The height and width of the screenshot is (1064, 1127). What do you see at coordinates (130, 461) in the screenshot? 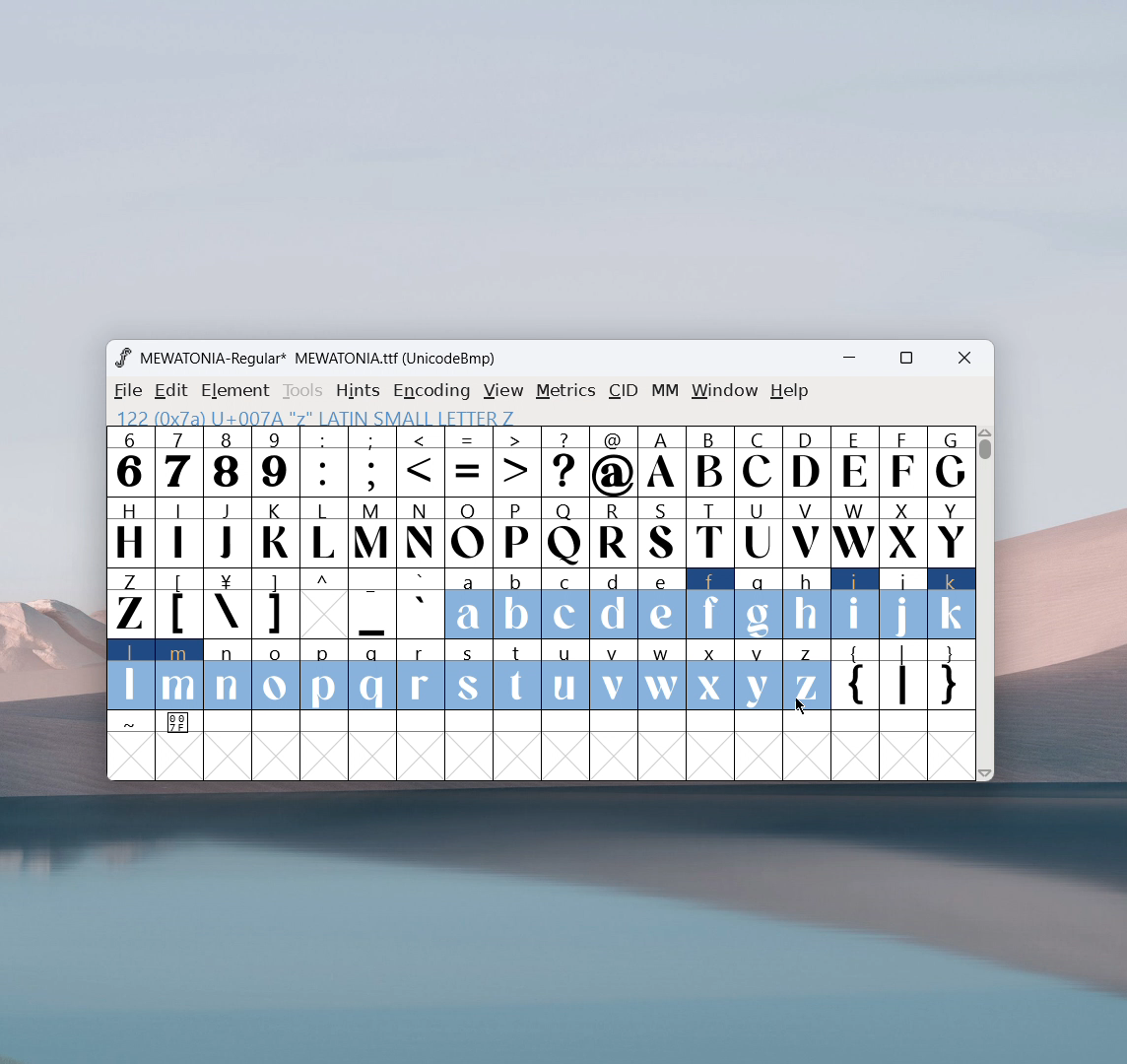
I see `6` at bounding box center [130, 461].